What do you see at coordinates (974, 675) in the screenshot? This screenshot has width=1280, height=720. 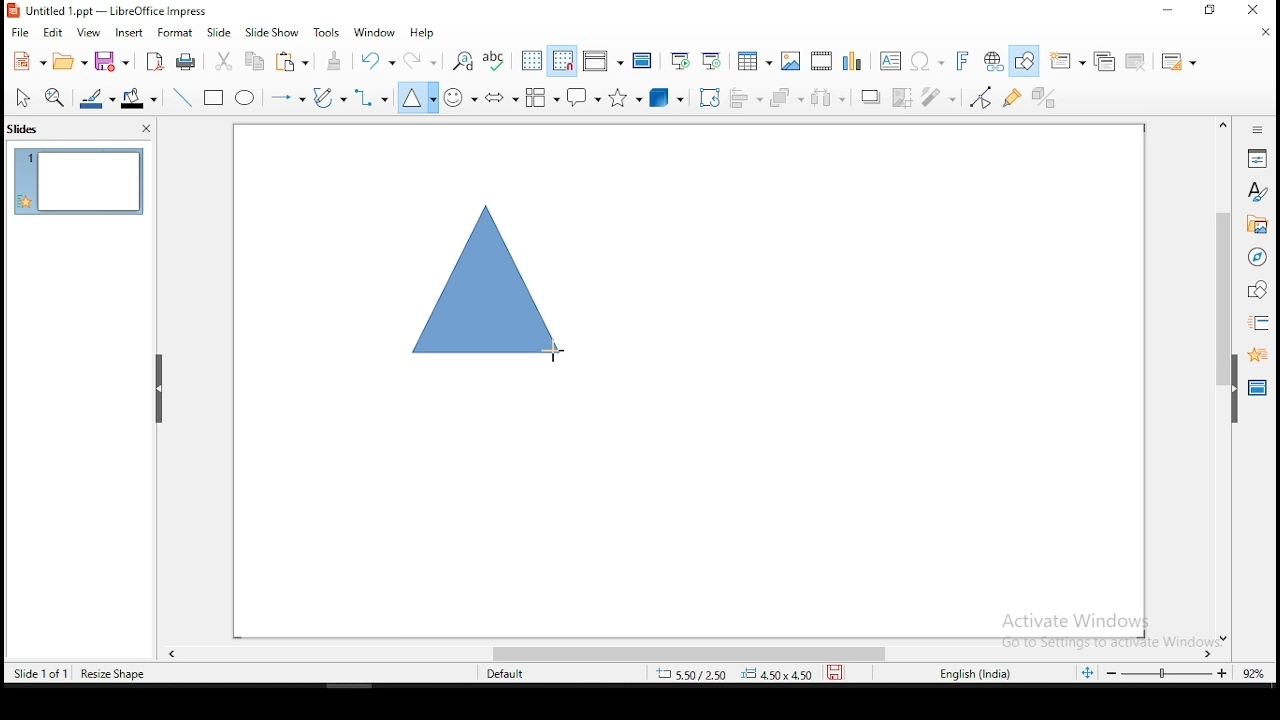 I see `English (India)` at bounding box center [974, 675].